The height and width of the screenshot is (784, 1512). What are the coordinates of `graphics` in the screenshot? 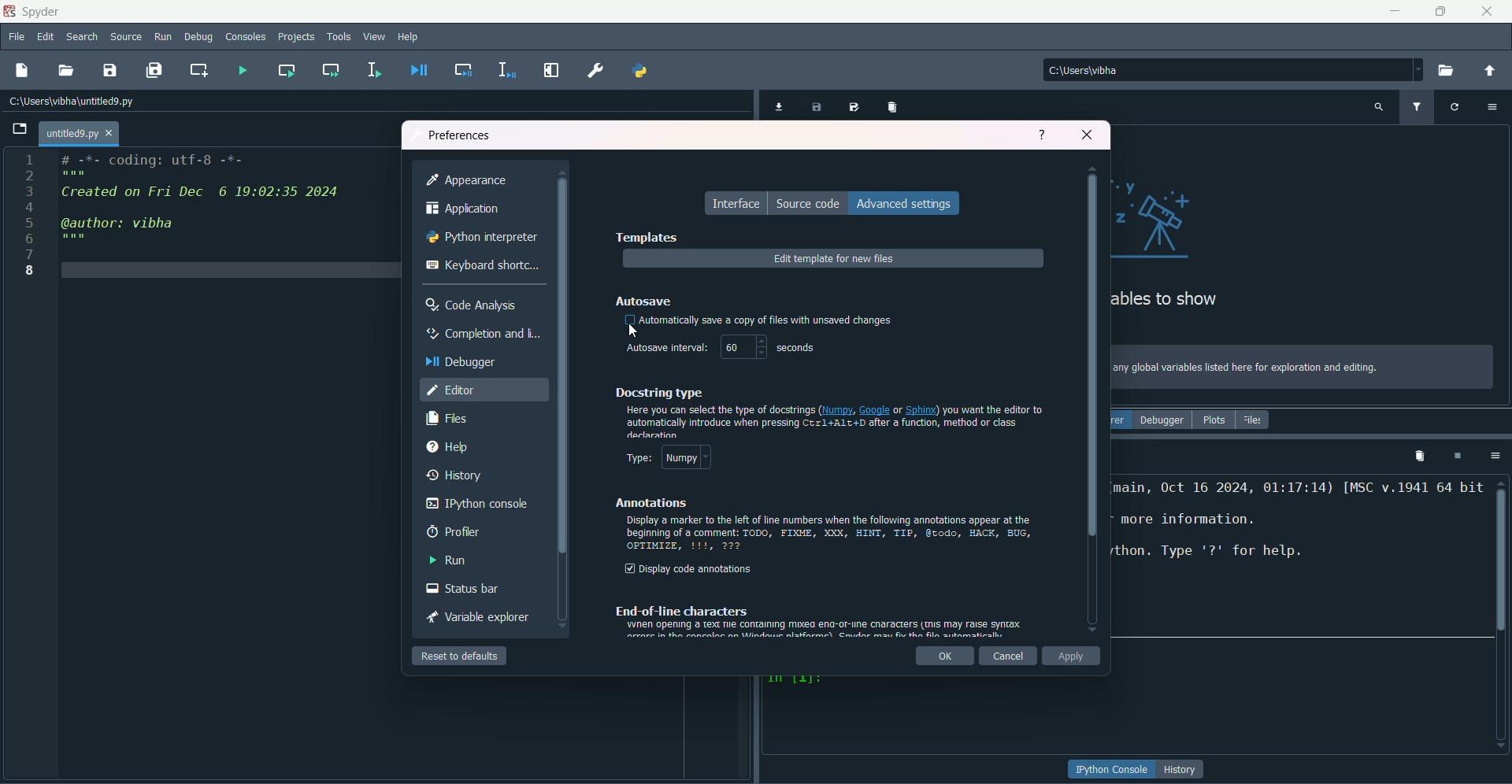 It's located at (1166, 216).